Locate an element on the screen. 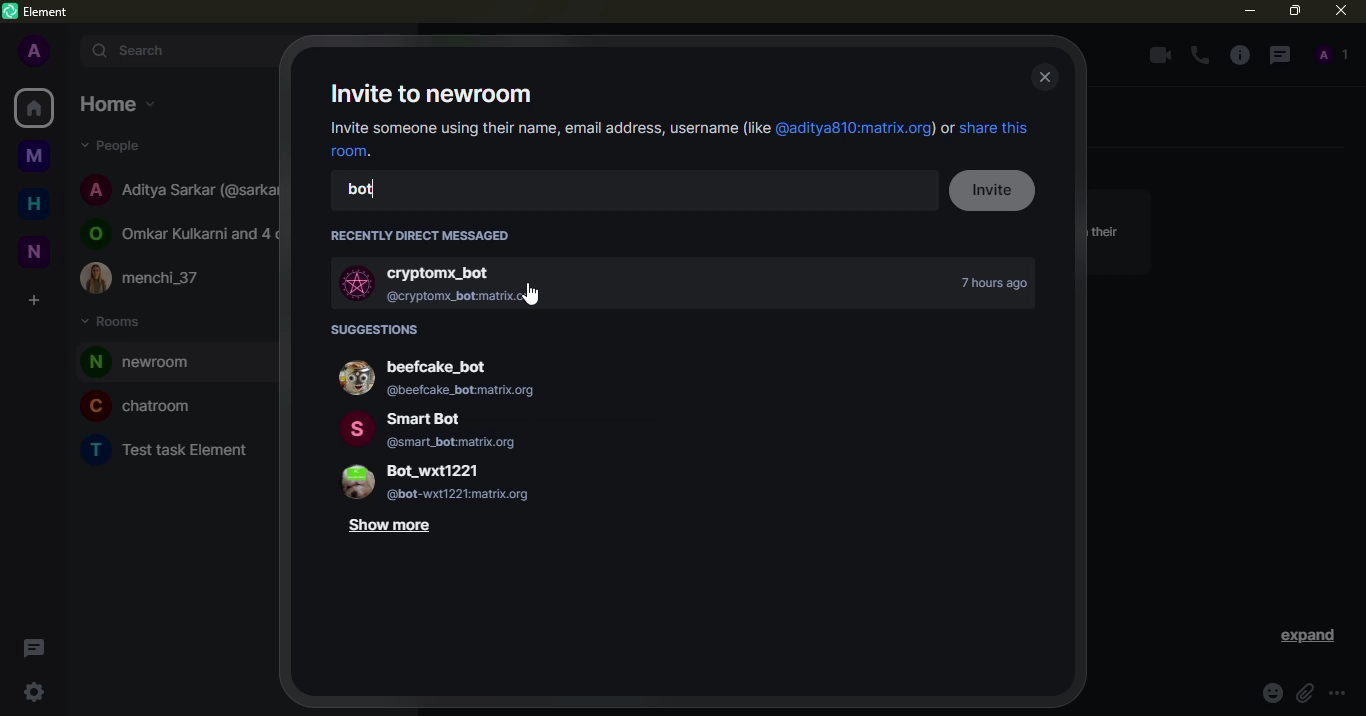 This screenshot has width=1366, height=716. element is located at coordinates (38, 12).